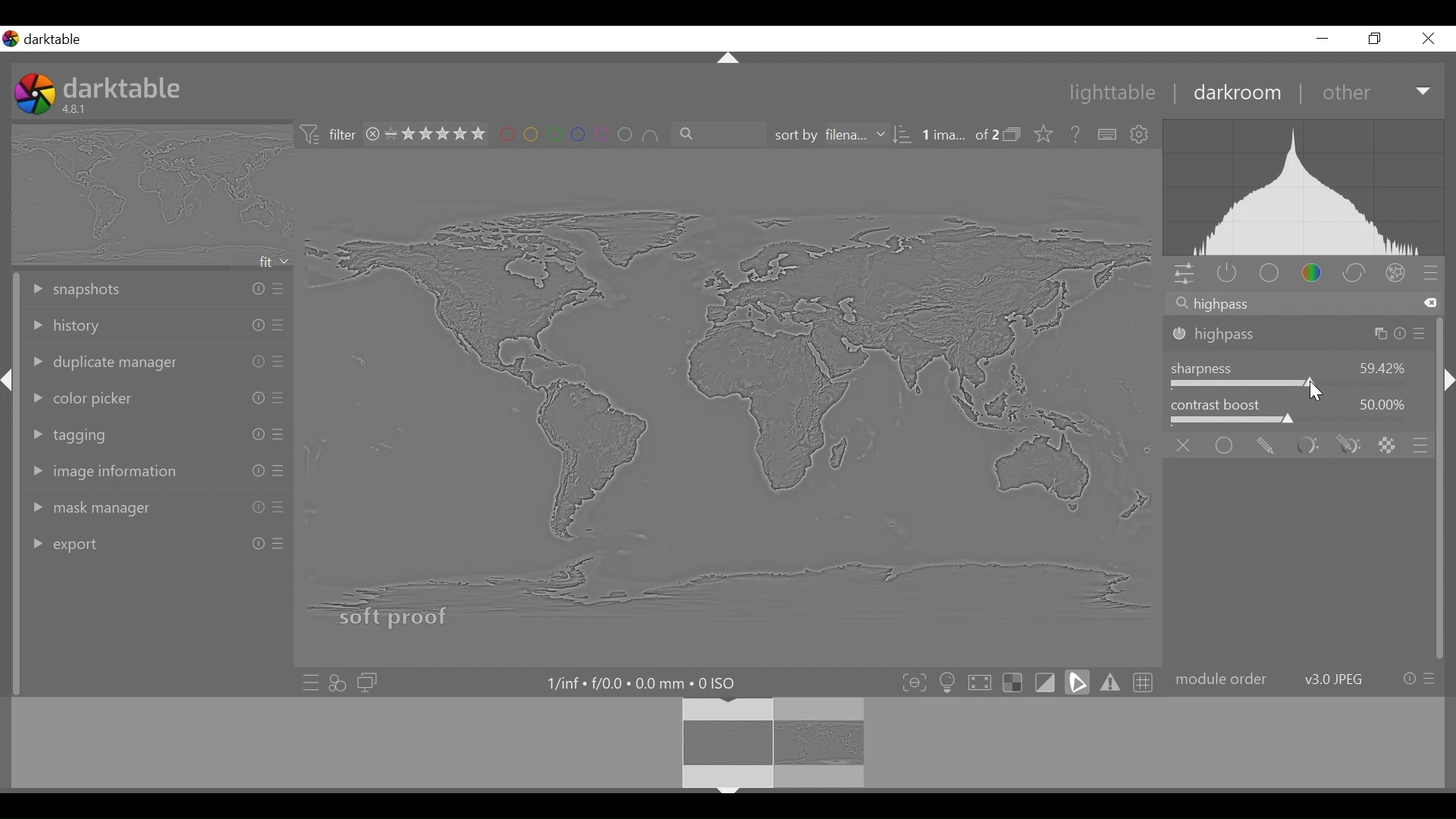 This screenshot has width=1456, height=819. Describe the element at coordinates (1240, 96) in the screenshot. I see `darkroom` at that location.